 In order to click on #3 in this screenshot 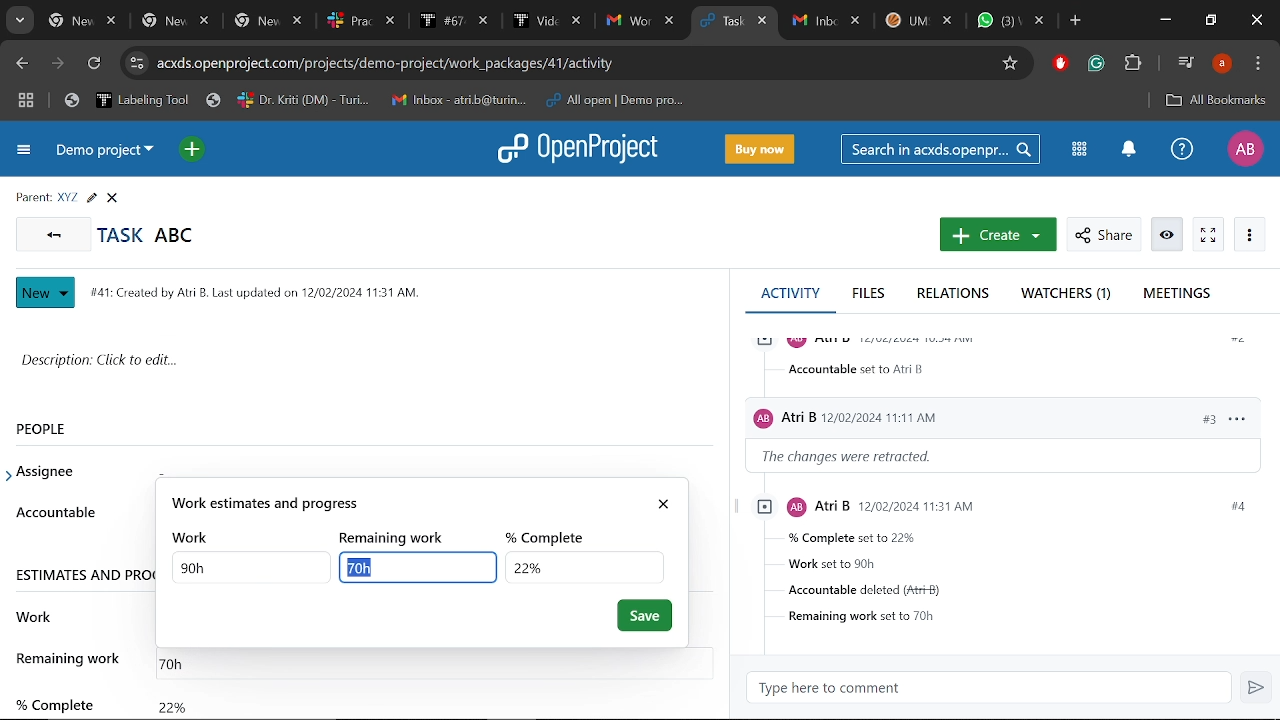, I will do `click(1198, 418)`.